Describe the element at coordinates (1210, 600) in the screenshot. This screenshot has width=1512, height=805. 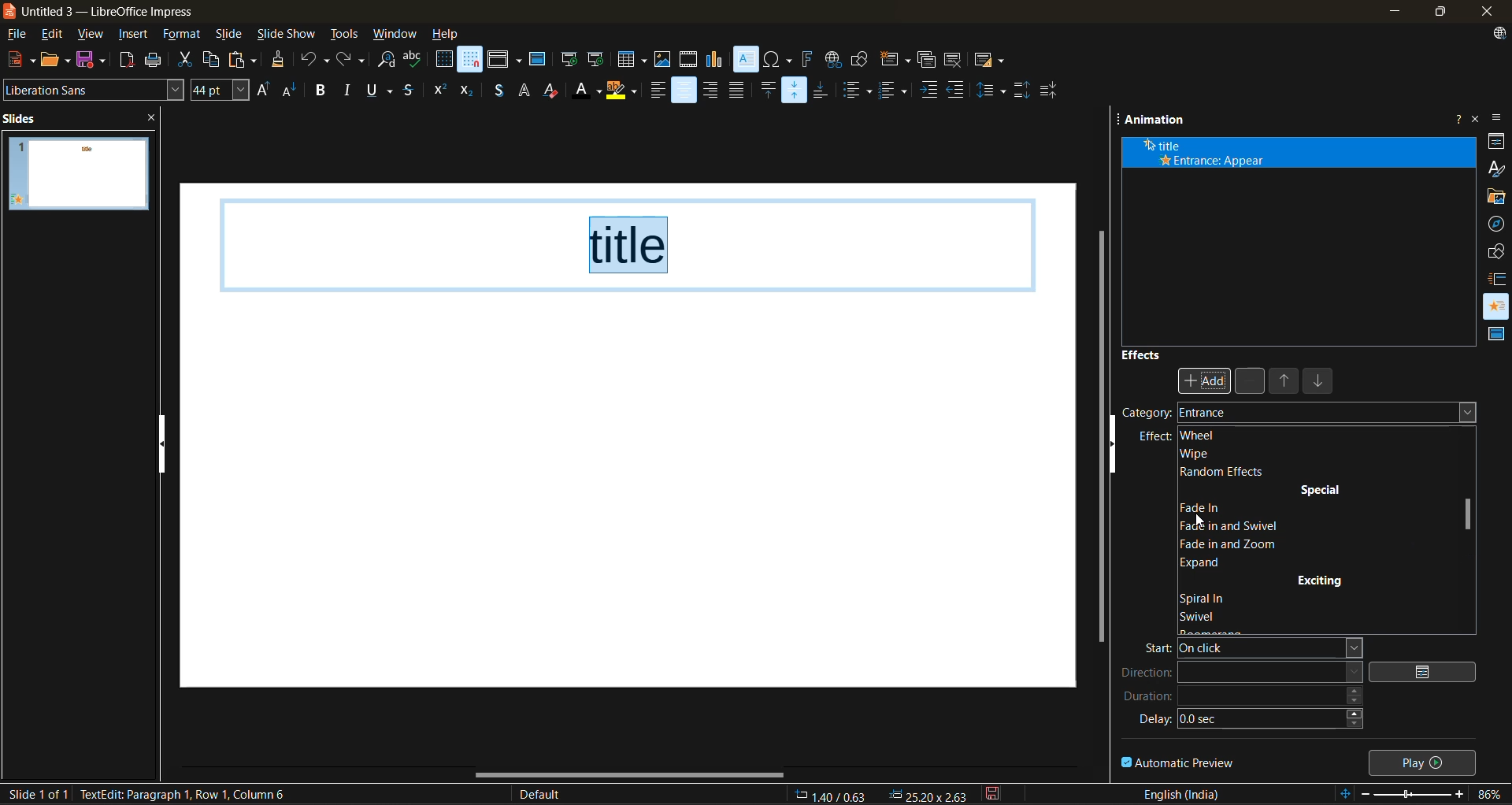
I see `spiral in` at that location.